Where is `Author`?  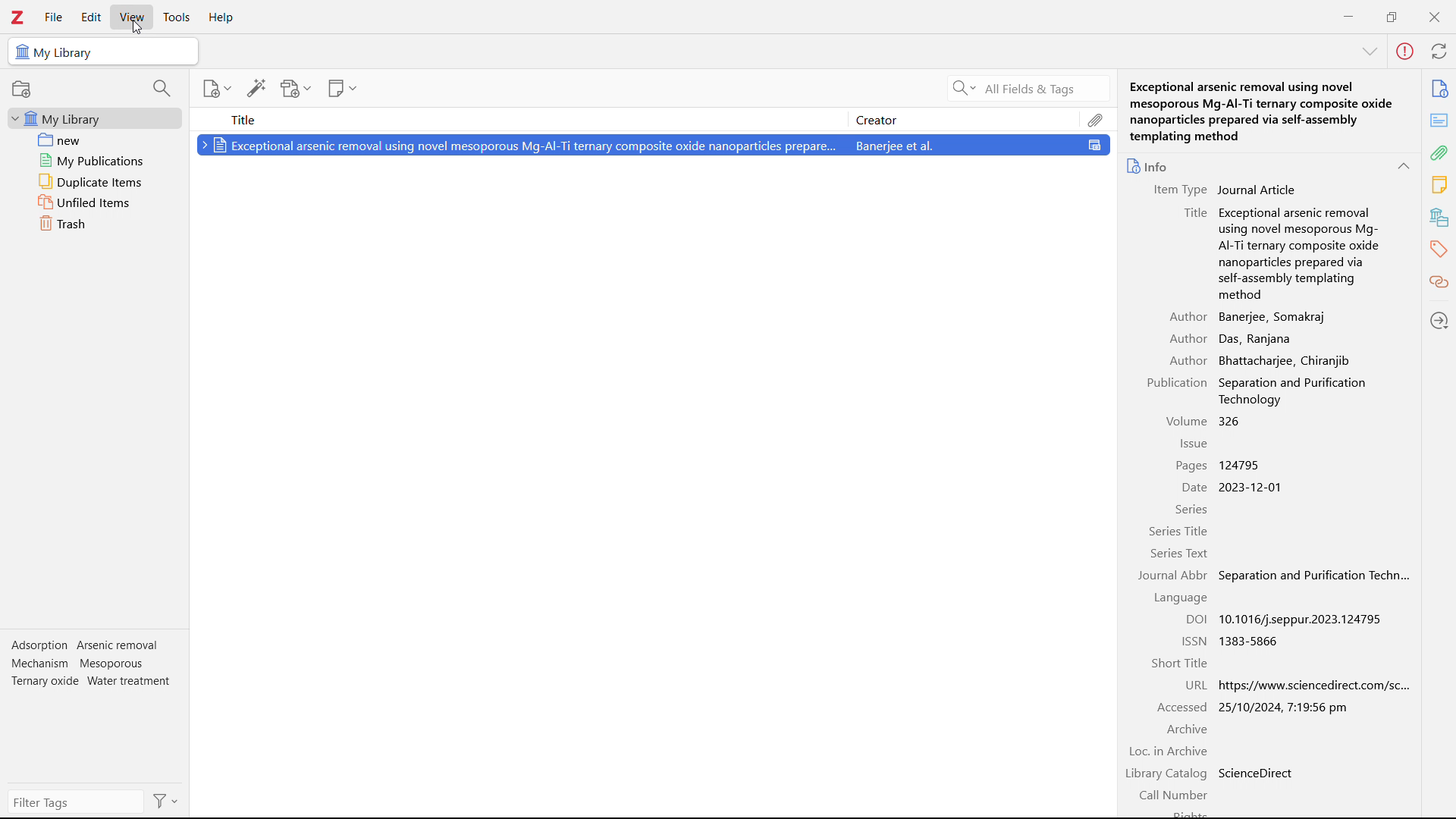
Author is located at coordinates (1186, 339).